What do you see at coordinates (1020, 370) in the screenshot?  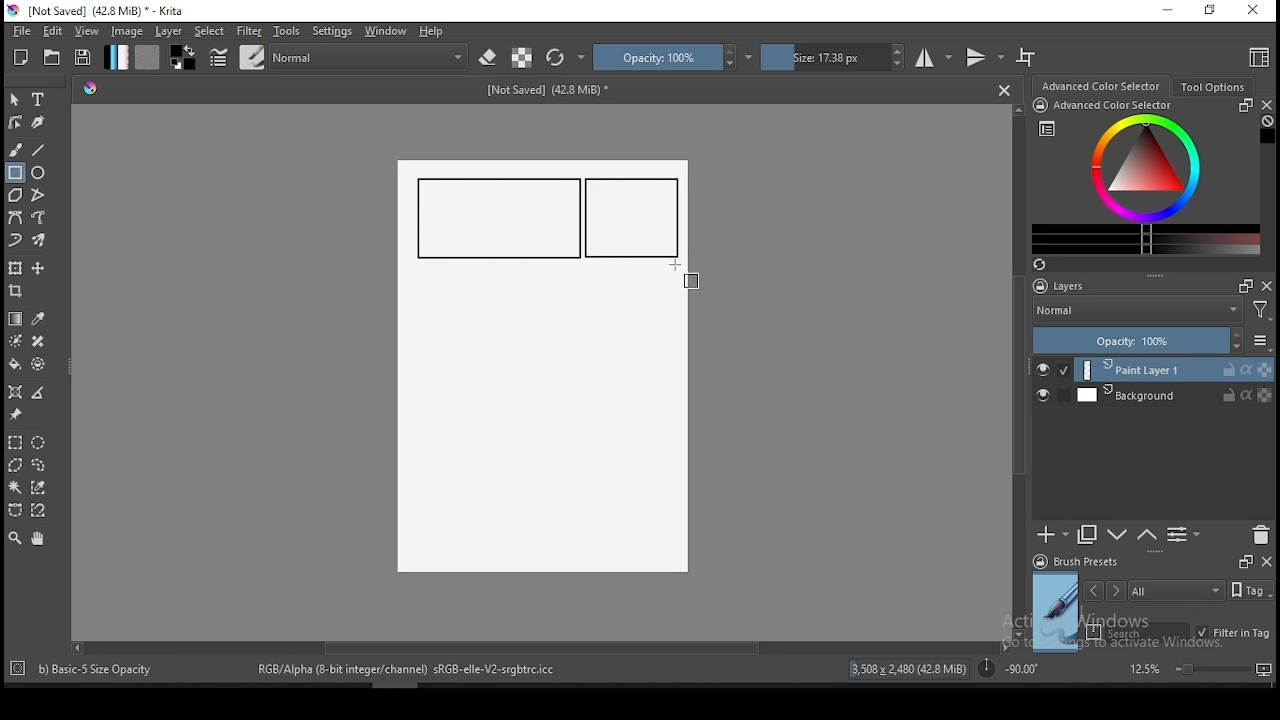 I see `scroll bar` at bounding box center [1020, 370].